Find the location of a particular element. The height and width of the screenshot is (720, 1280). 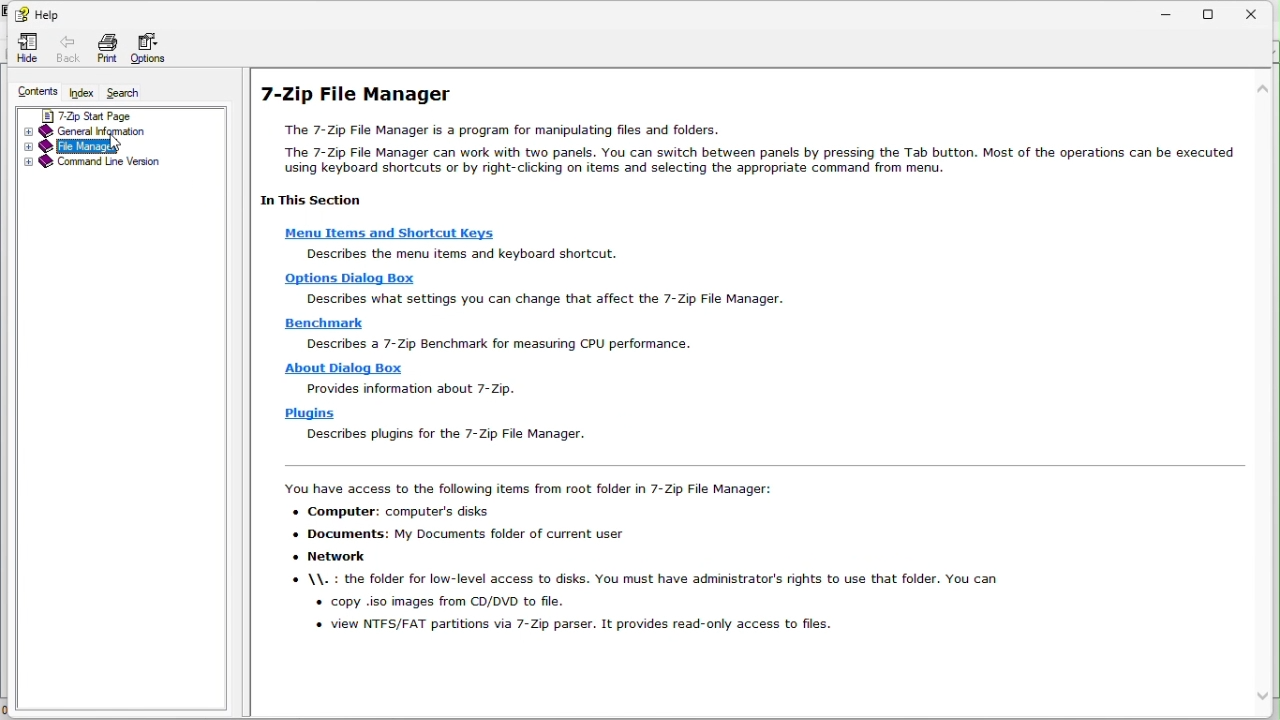

7-Zip File Manager
The 7-Zip File Manager is a program for manipulating files and folders.
“The 7-Zip File Manager can work with two panels. You can switch between panels by pressing the Tab button. Most of the operations can be executed
using keyboard shortcuts or by right-clicking on items and selecting the appropriate command from menu. is located at coordinates (743, 140).